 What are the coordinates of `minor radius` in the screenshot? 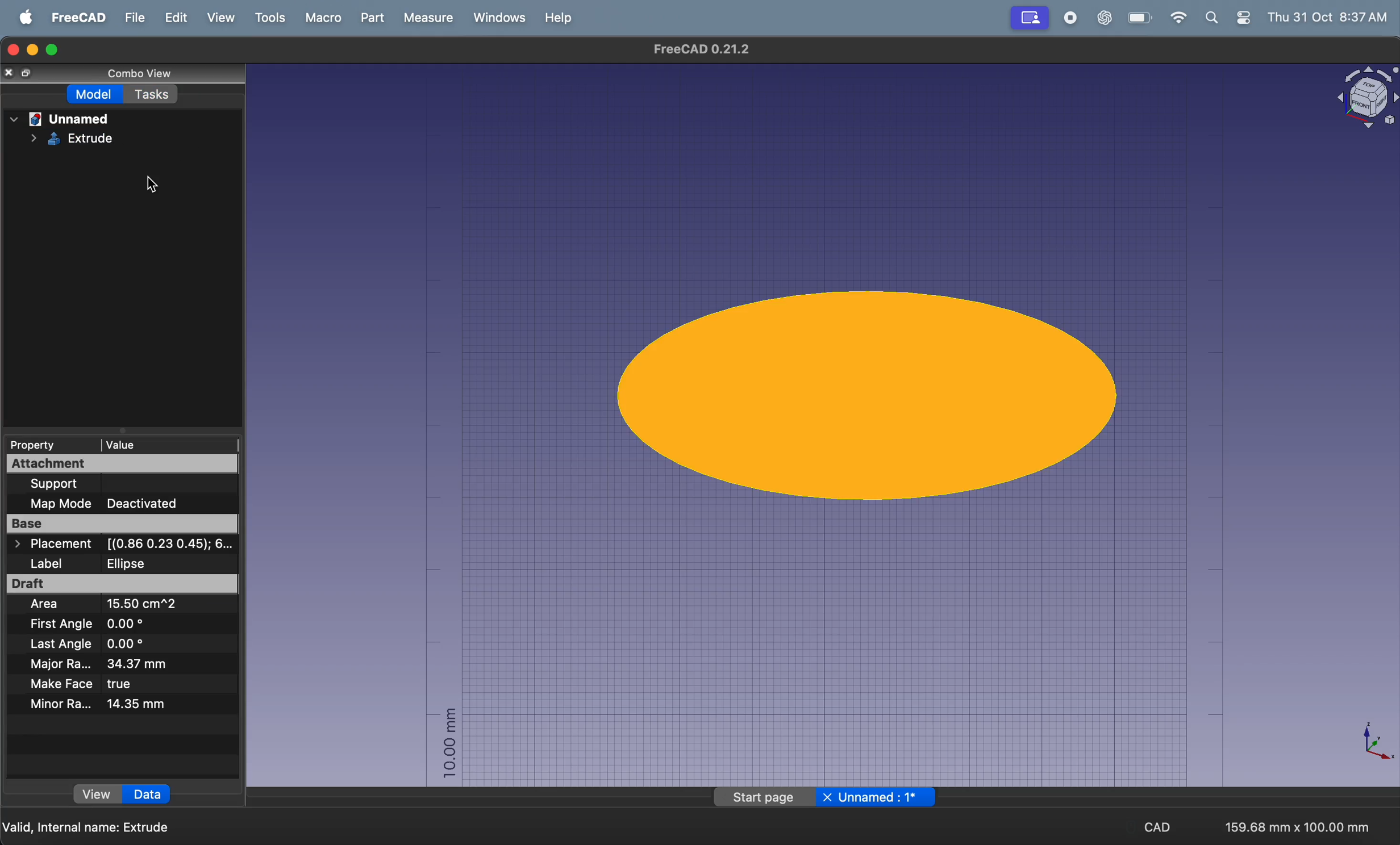 It's located at (103, 704).